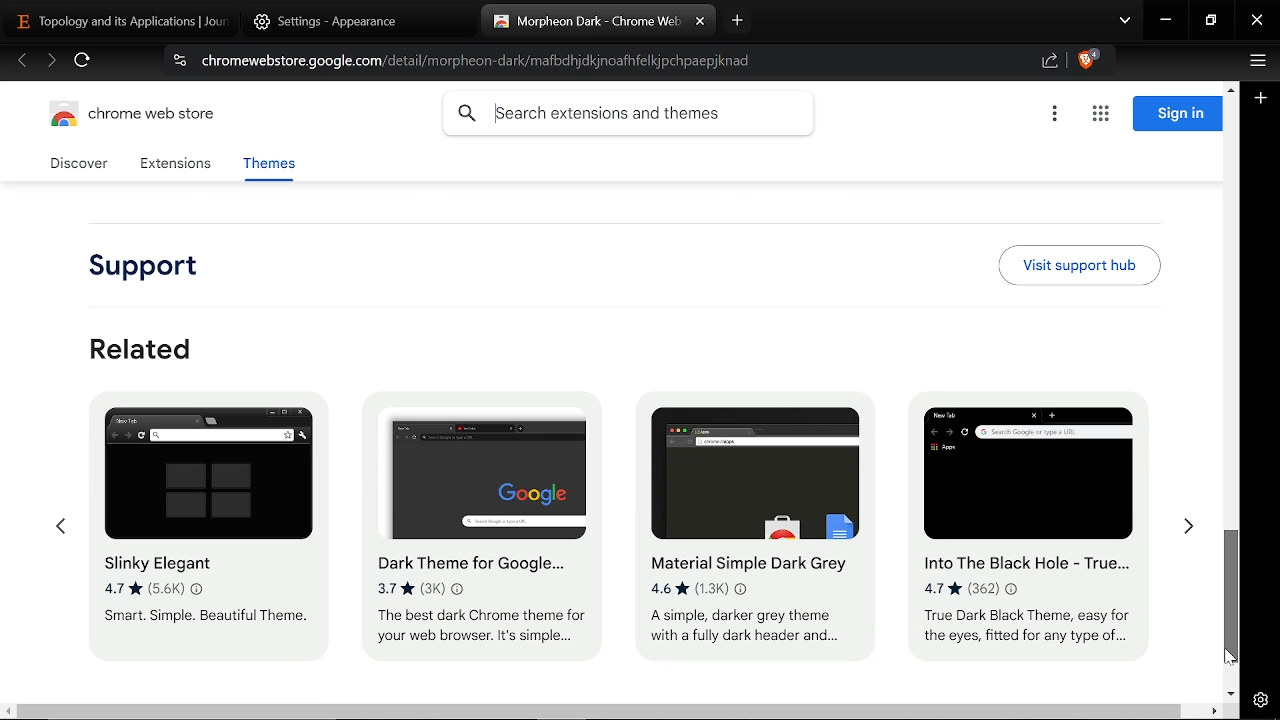 The image size is (1280, 720). I want to click on Search extensions and themes, so click(628, 114).